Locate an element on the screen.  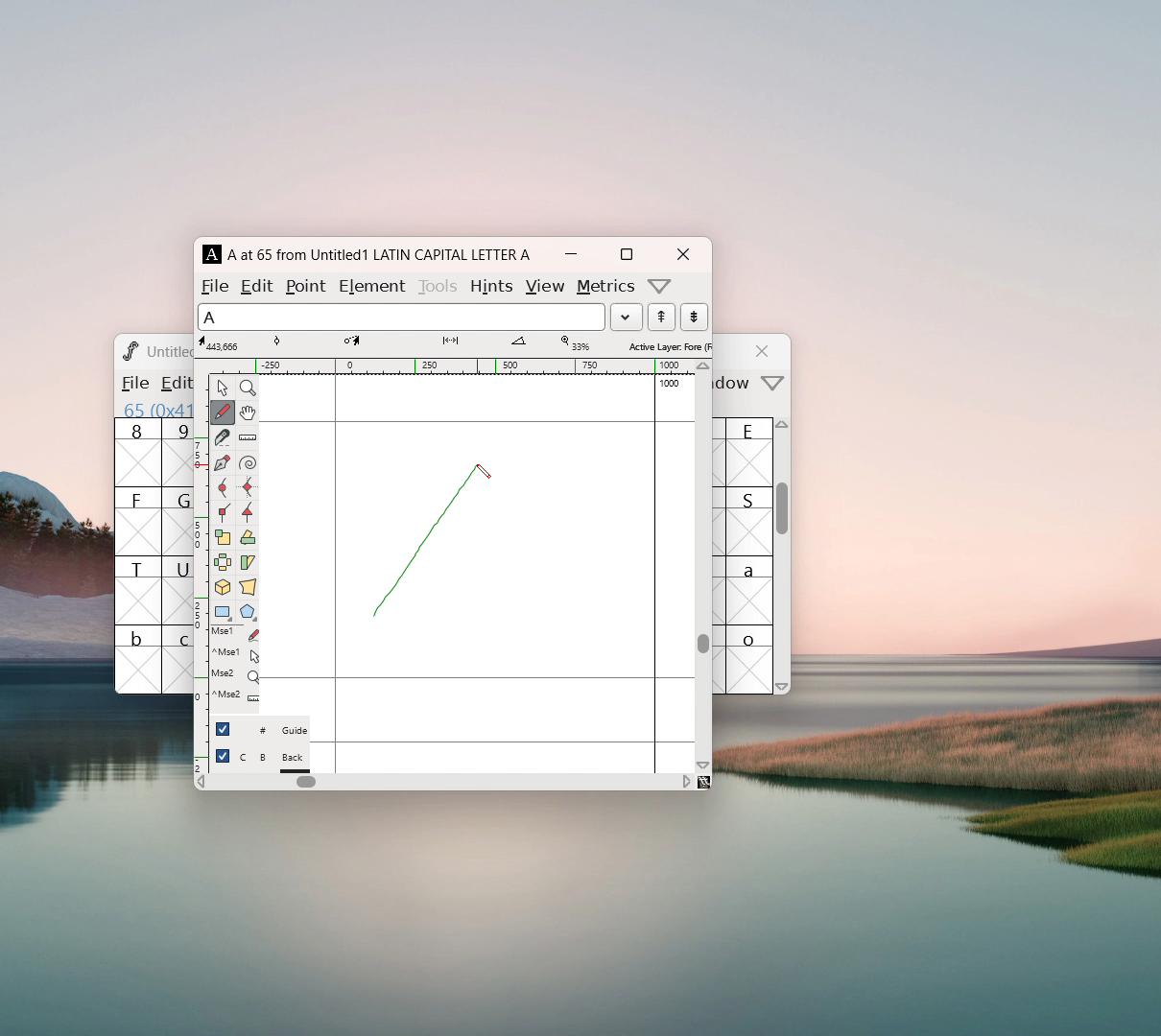
show the previous word in the wordlist is located at coordinates (694, 317).